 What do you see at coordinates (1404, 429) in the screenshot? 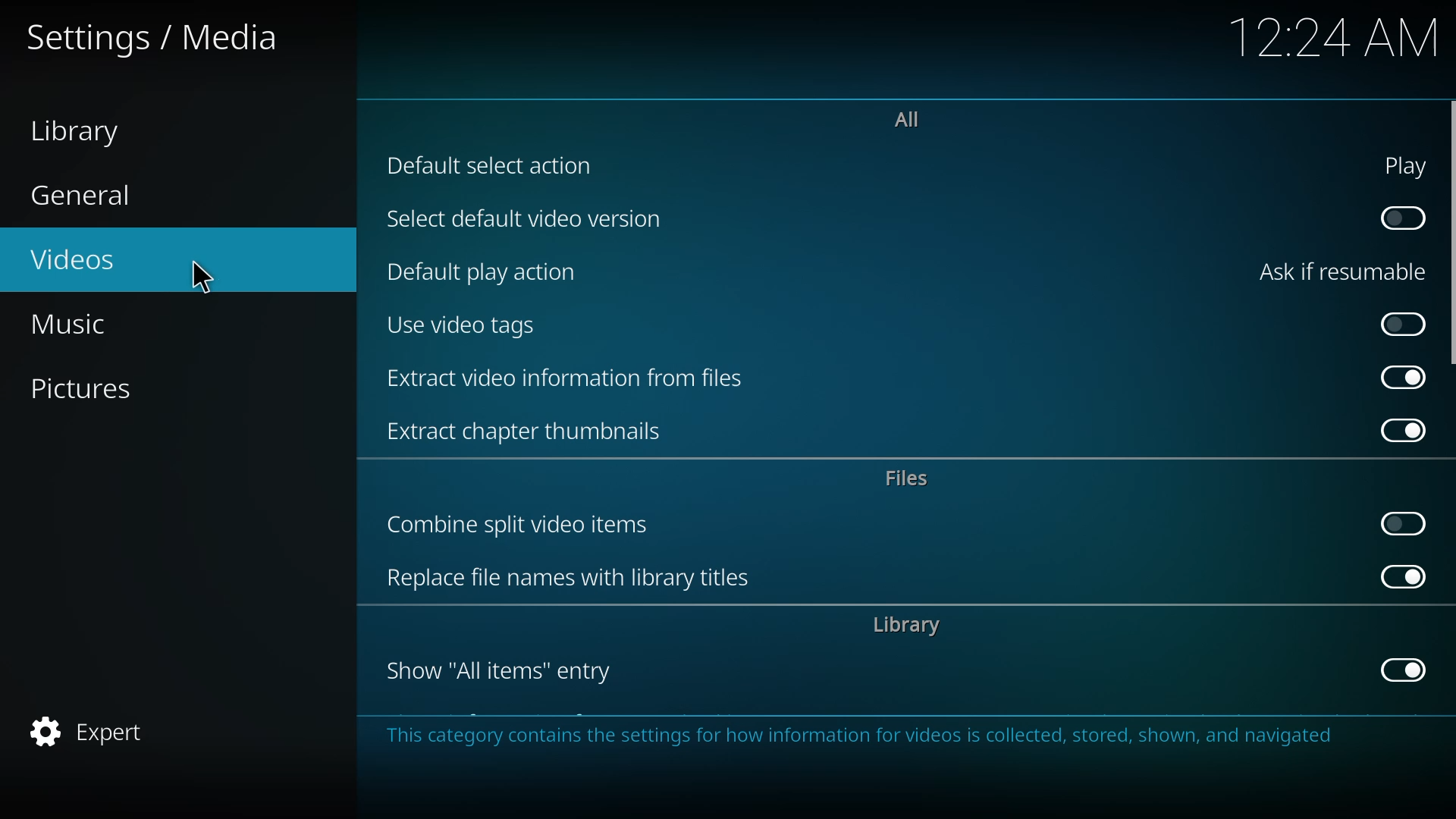
I see `enabled` at bounding box center [1404, 429].